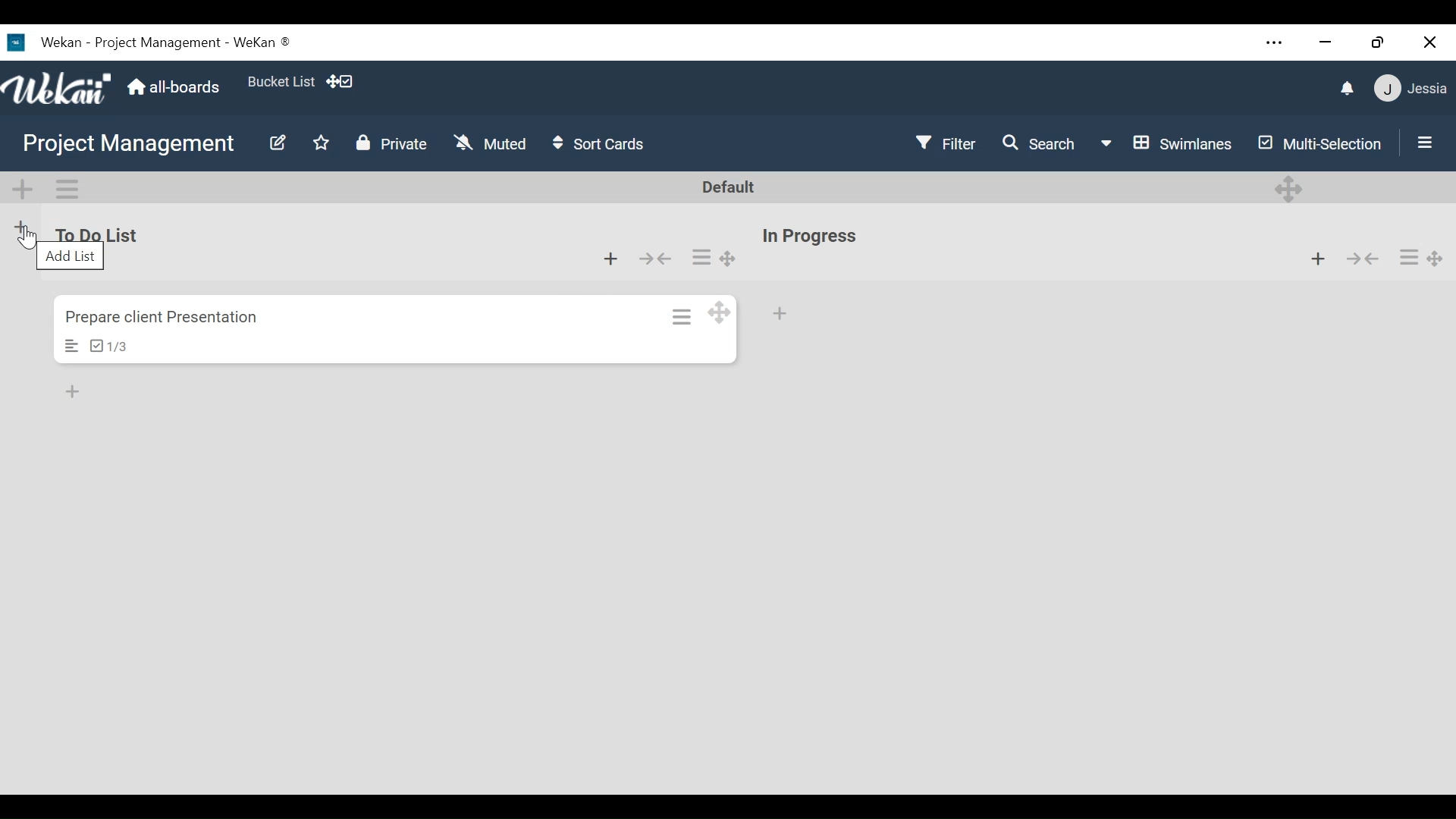 This screenshot has width=1456, height=819. Describe the element at coordinates (1318, 145) in the screenshot. I see `Multi-selection` at that location.